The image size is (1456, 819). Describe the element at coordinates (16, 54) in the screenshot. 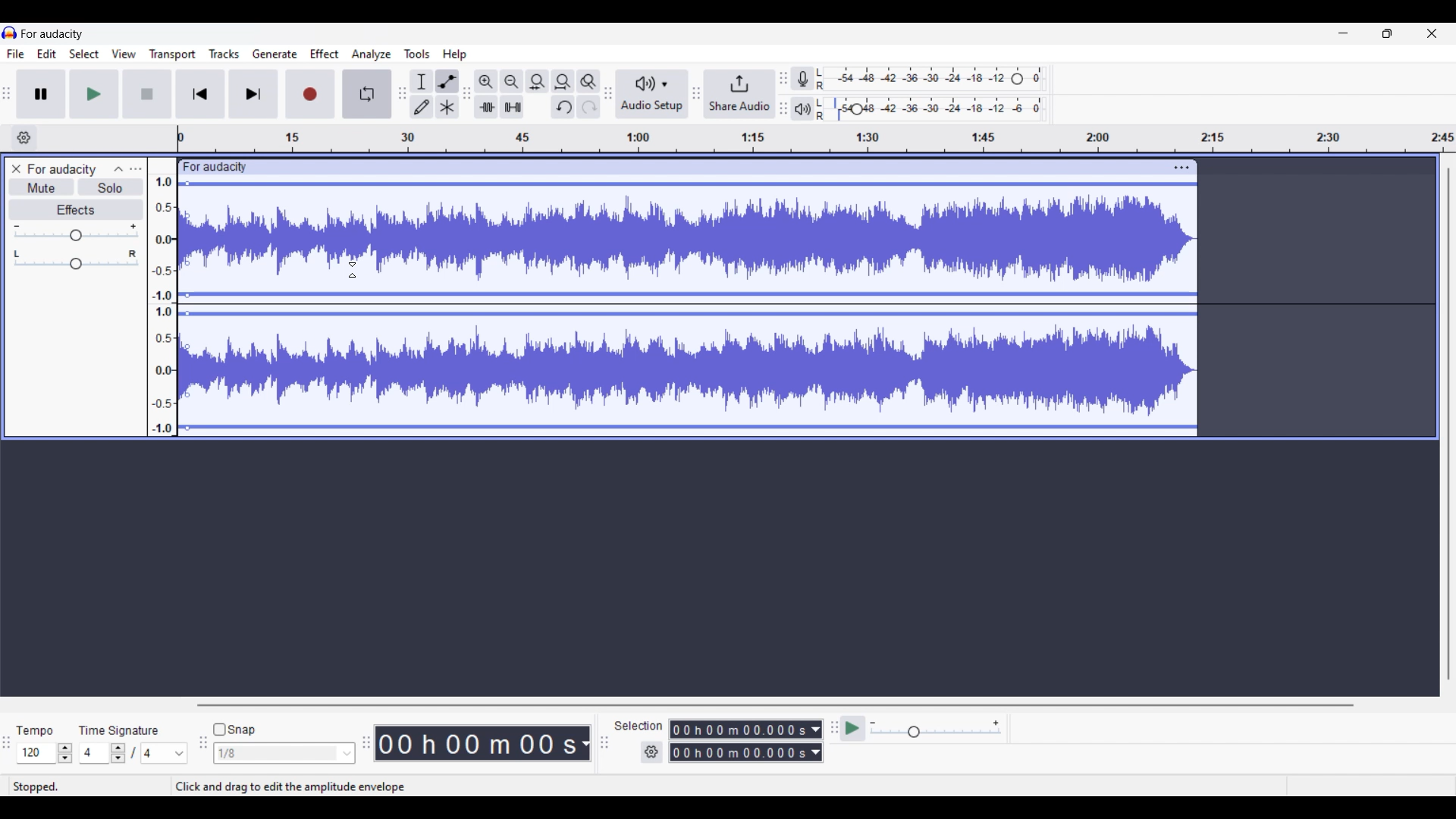

I see `File` at that location.